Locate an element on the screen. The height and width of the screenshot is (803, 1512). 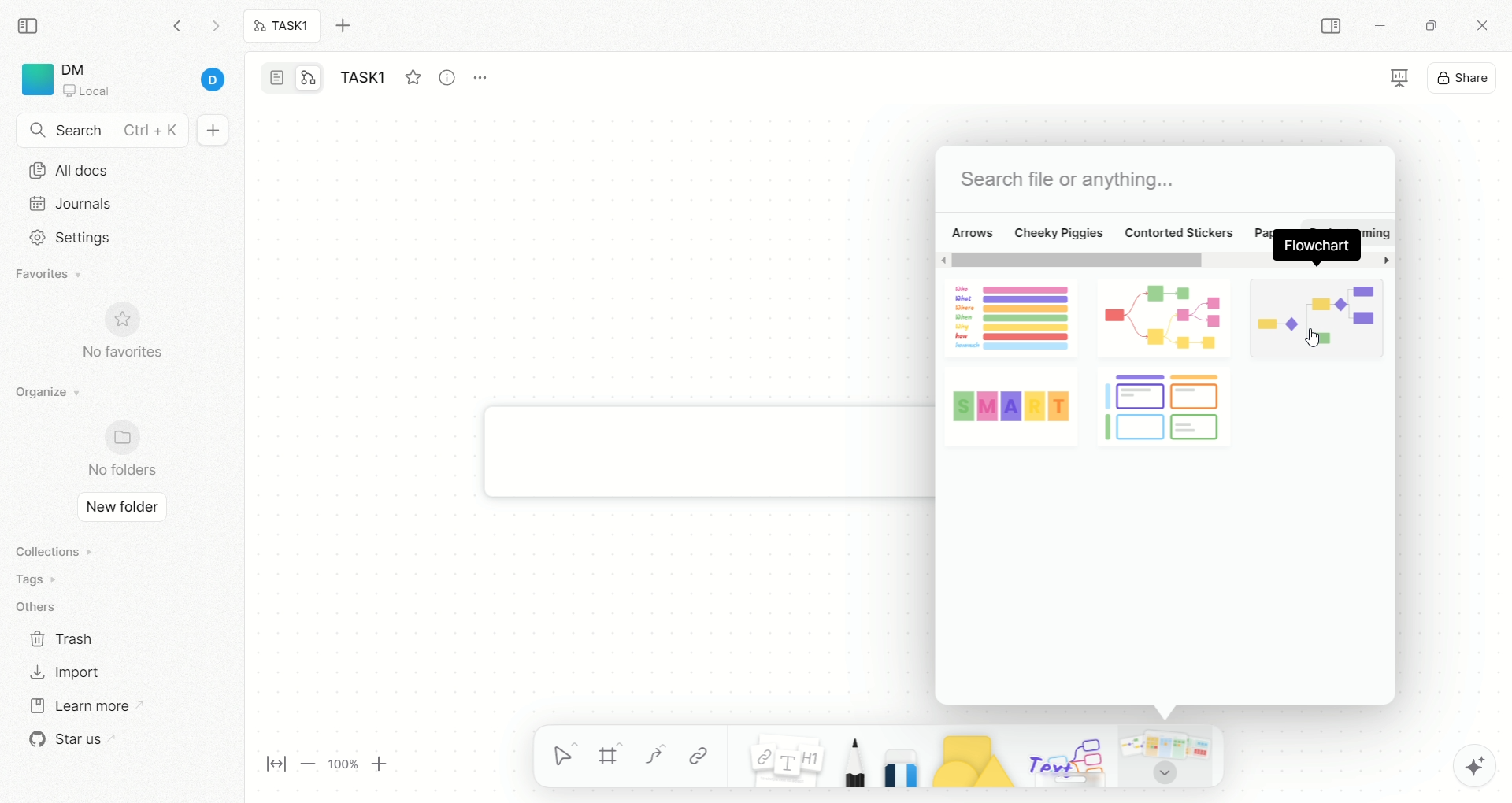
others is located at coordinates (39, 608).